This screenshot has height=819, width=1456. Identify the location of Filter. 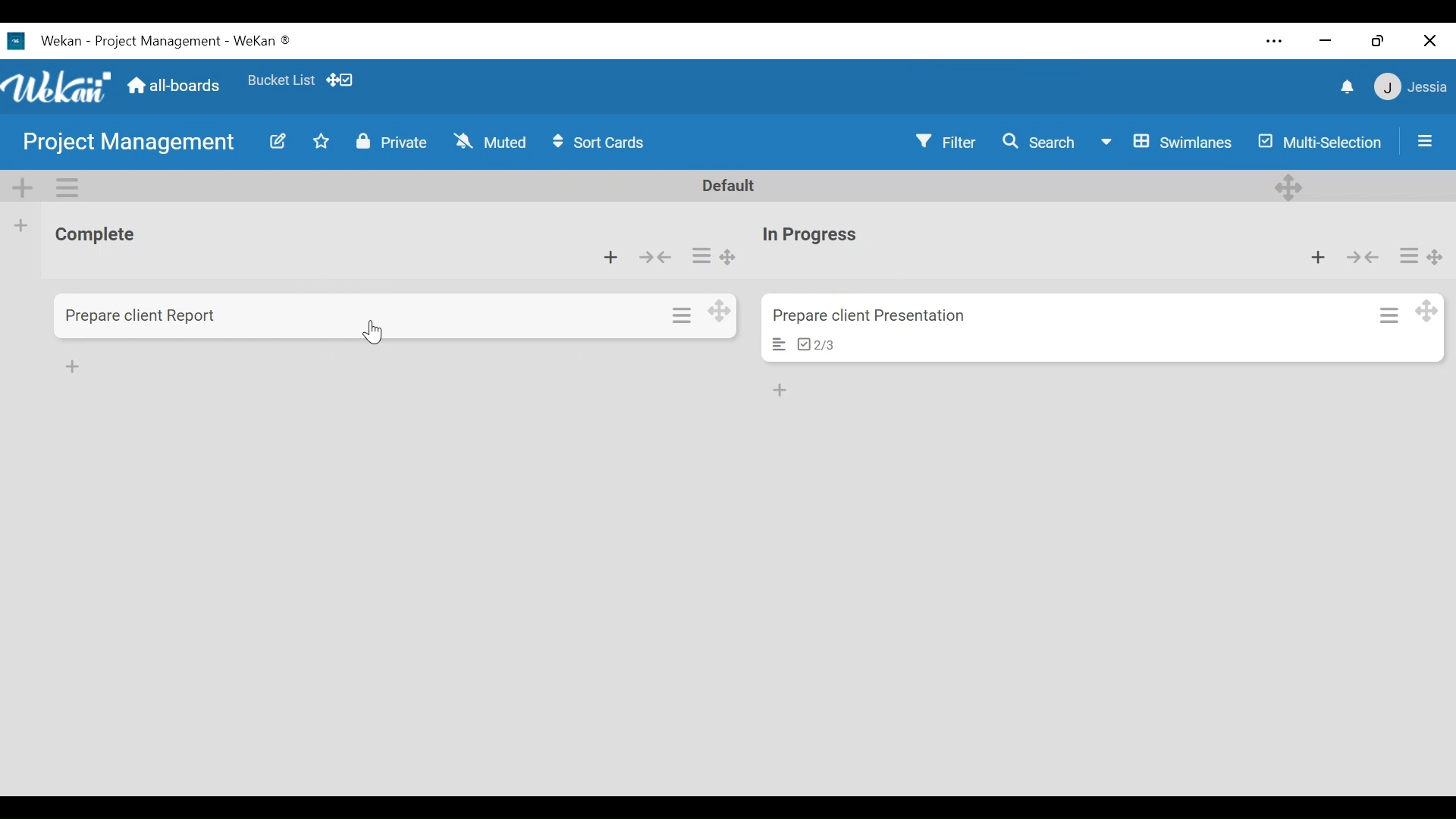
(943, 141).